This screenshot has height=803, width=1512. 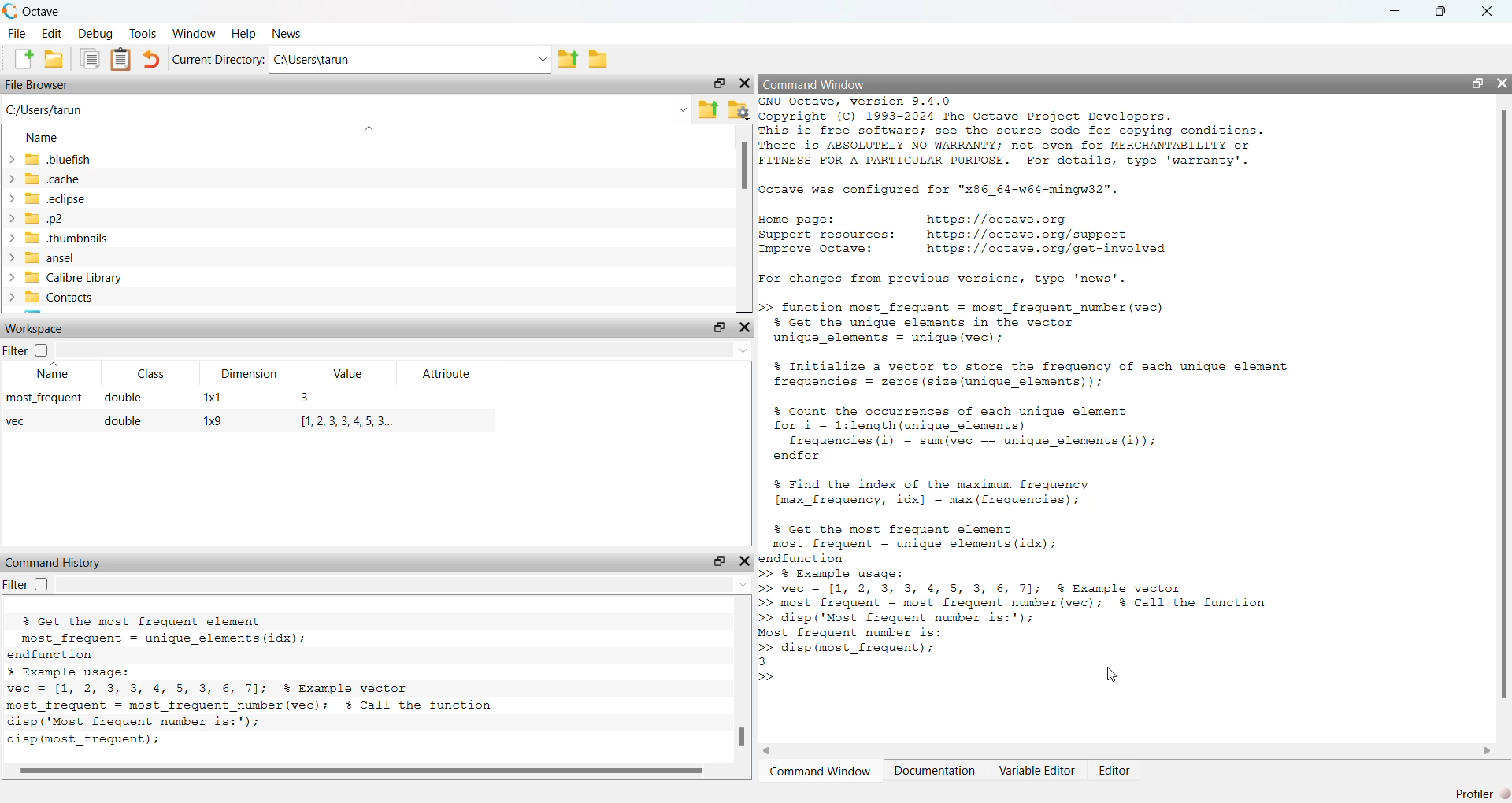 I want to click on .cache, so click(x=57, y=178).